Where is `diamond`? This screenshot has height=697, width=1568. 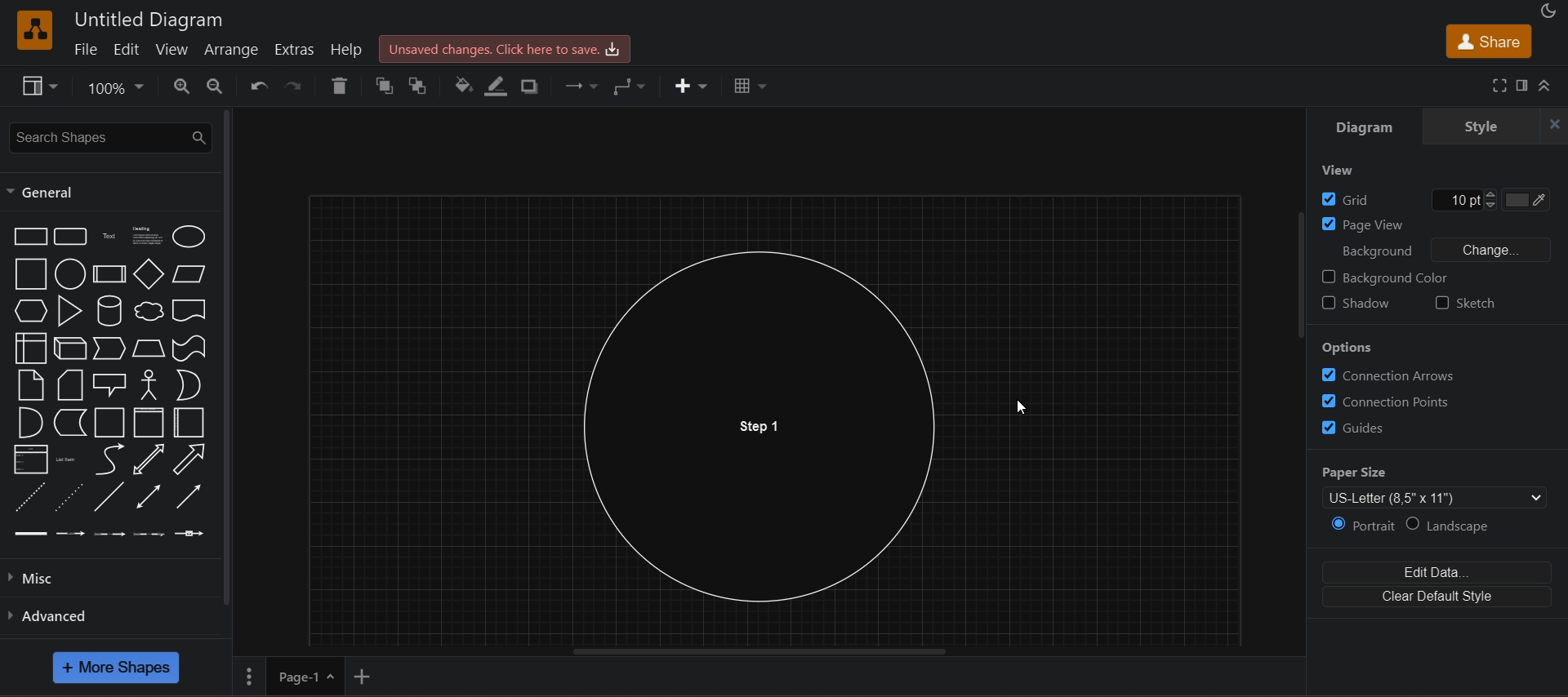 diamond is located at coordinates (149, 273).